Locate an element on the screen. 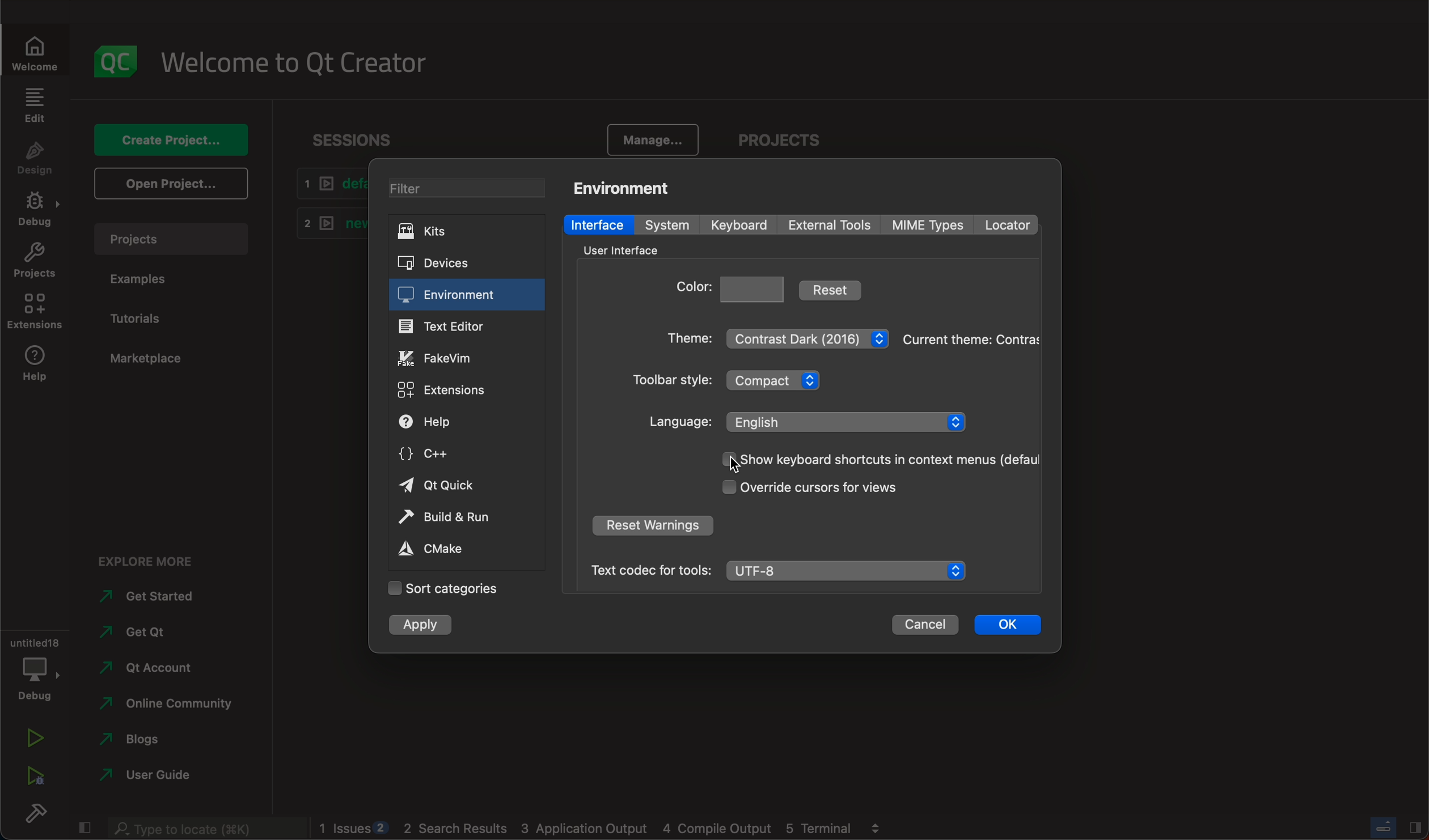  build is located at coordinates (32, 813).